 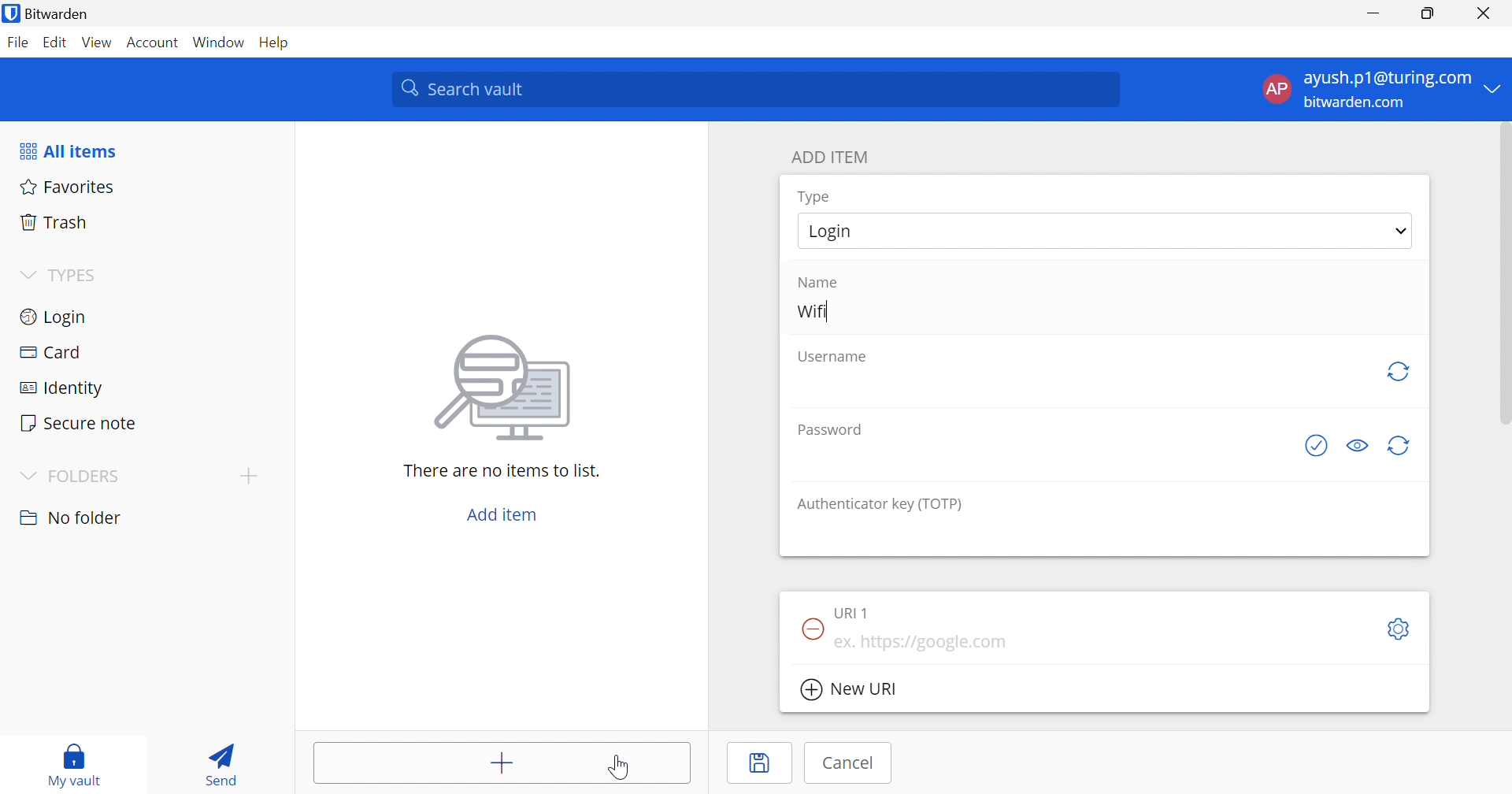 I want to click on ADD ITEM, so click(x=832, y=157).